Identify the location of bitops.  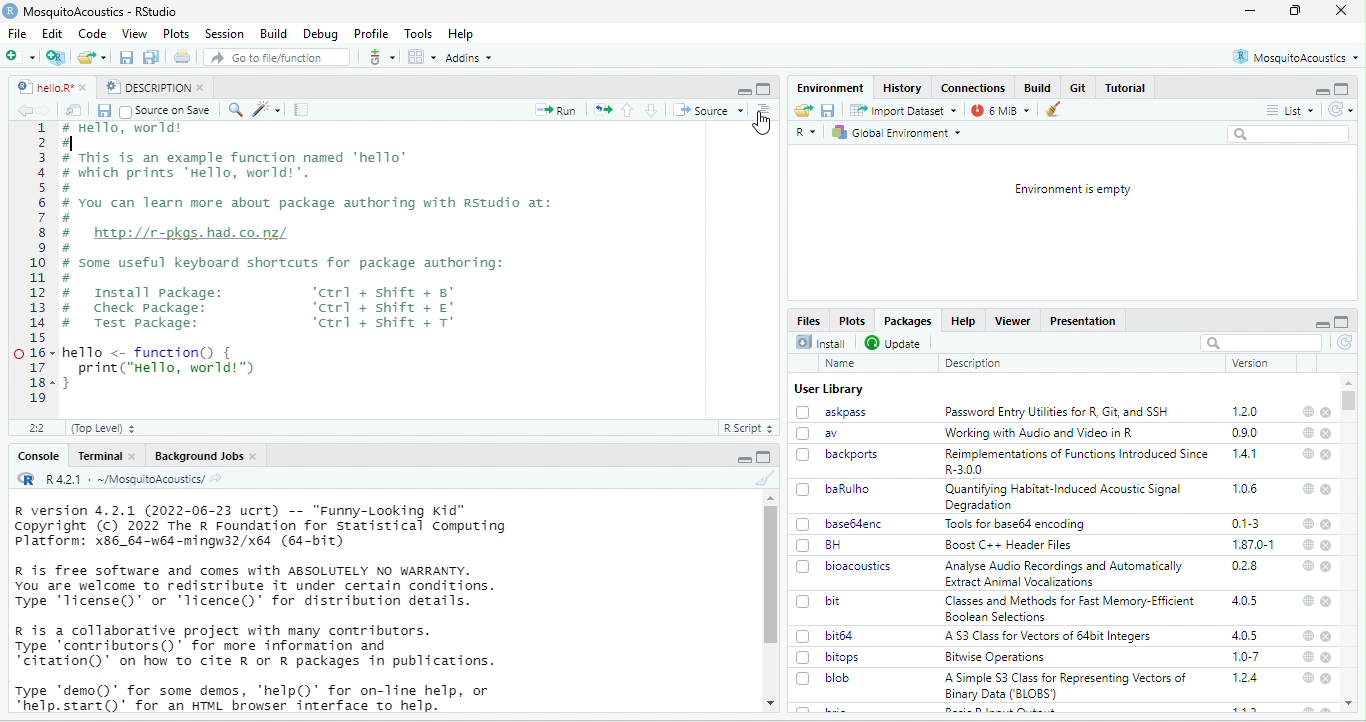
(830, 658).